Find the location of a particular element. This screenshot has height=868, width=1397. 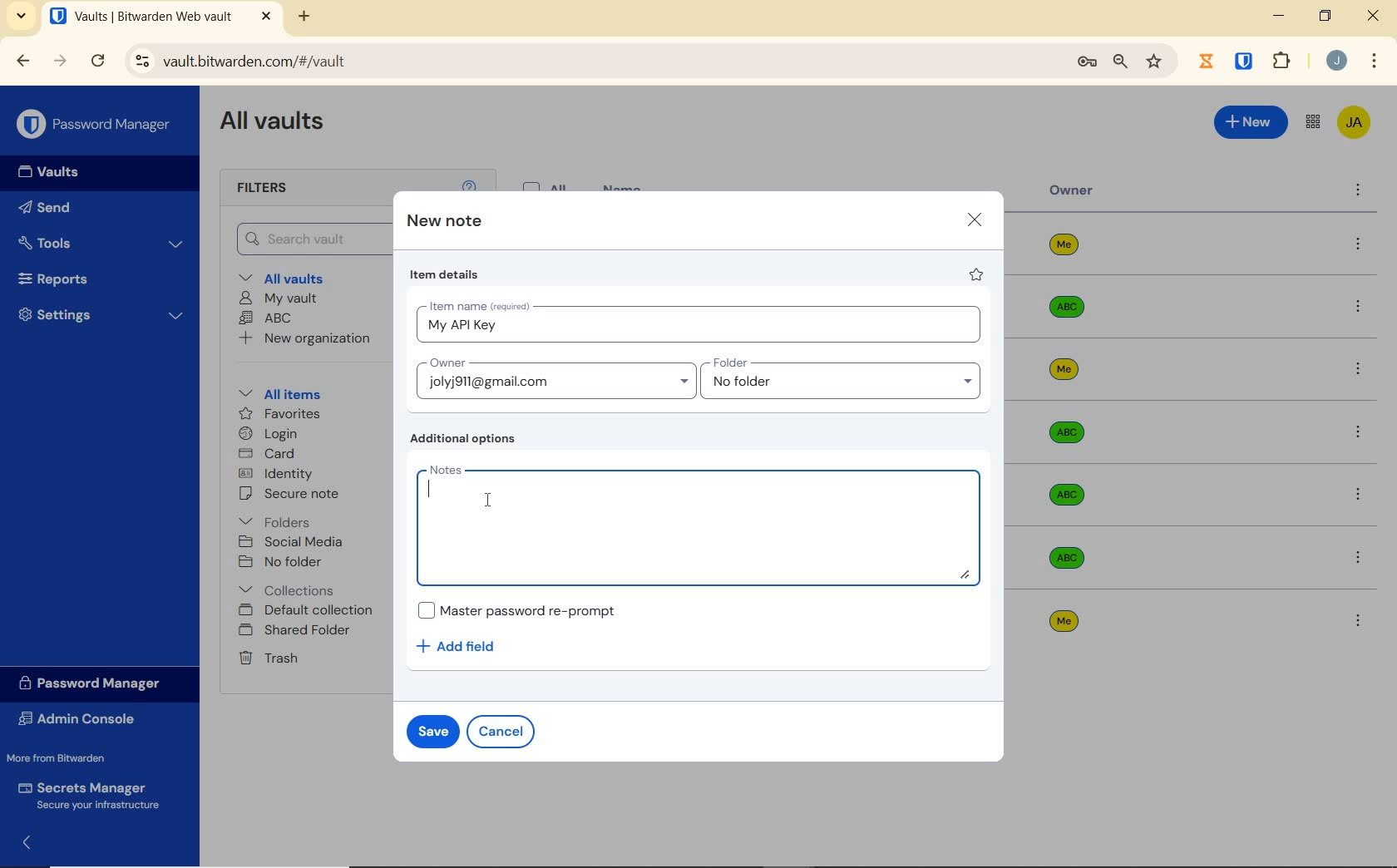

address bar is located at coordinates (589, 61).